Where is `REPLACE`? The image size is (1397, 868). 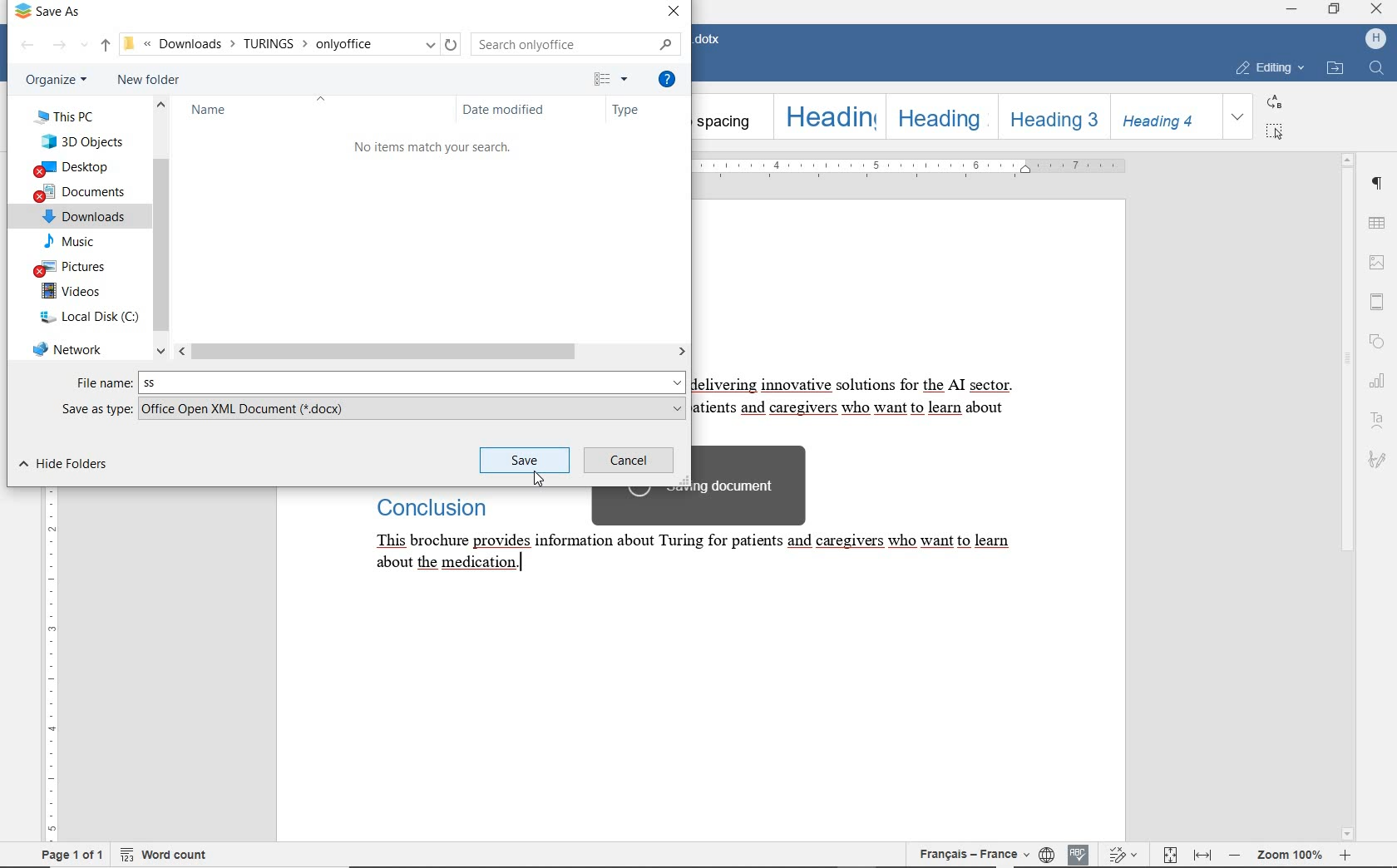 REPLACE is located at coordinates (1274, 101).